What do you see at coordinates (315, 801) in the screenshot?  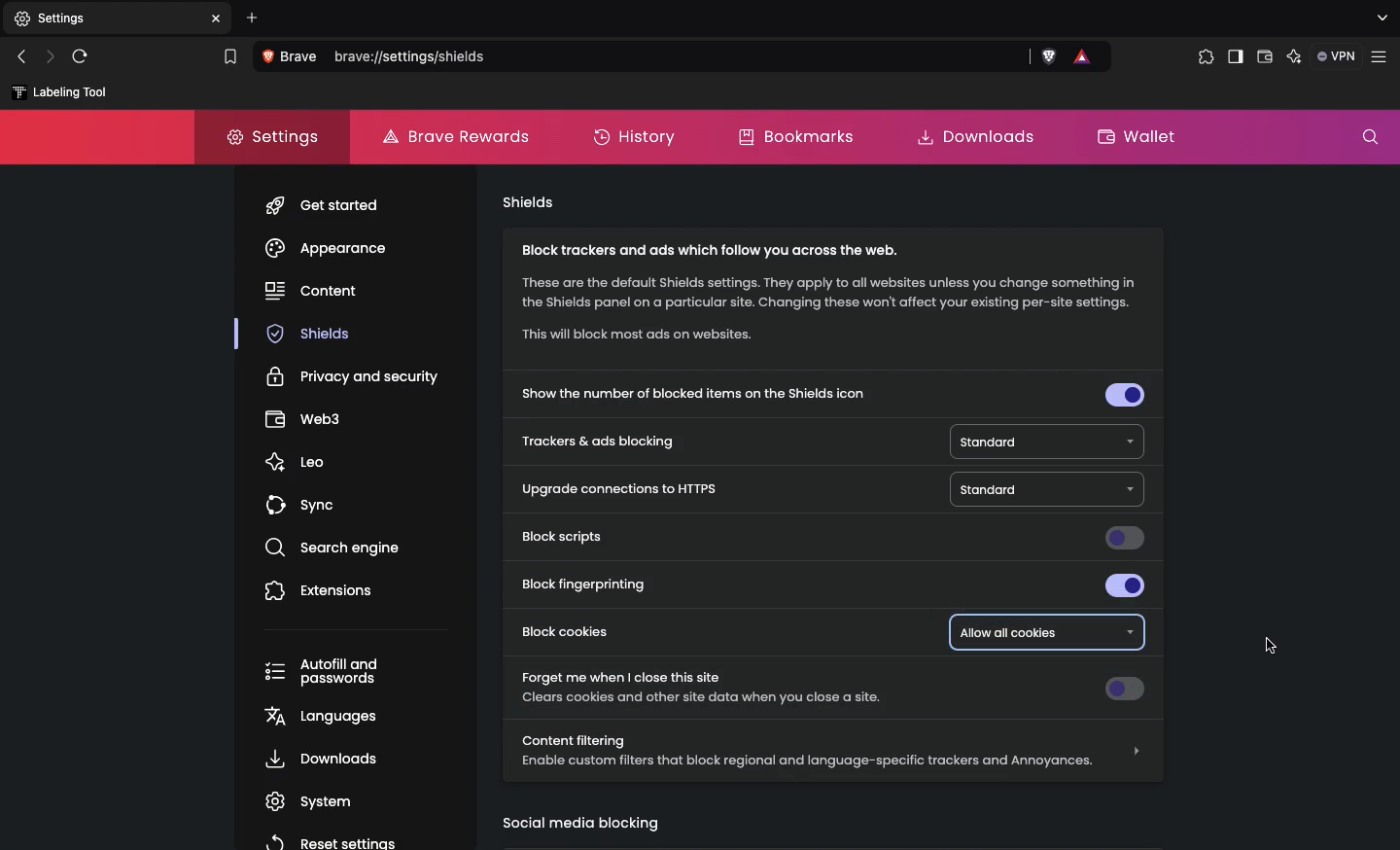 I see `system` at bounding box center [315, 801].